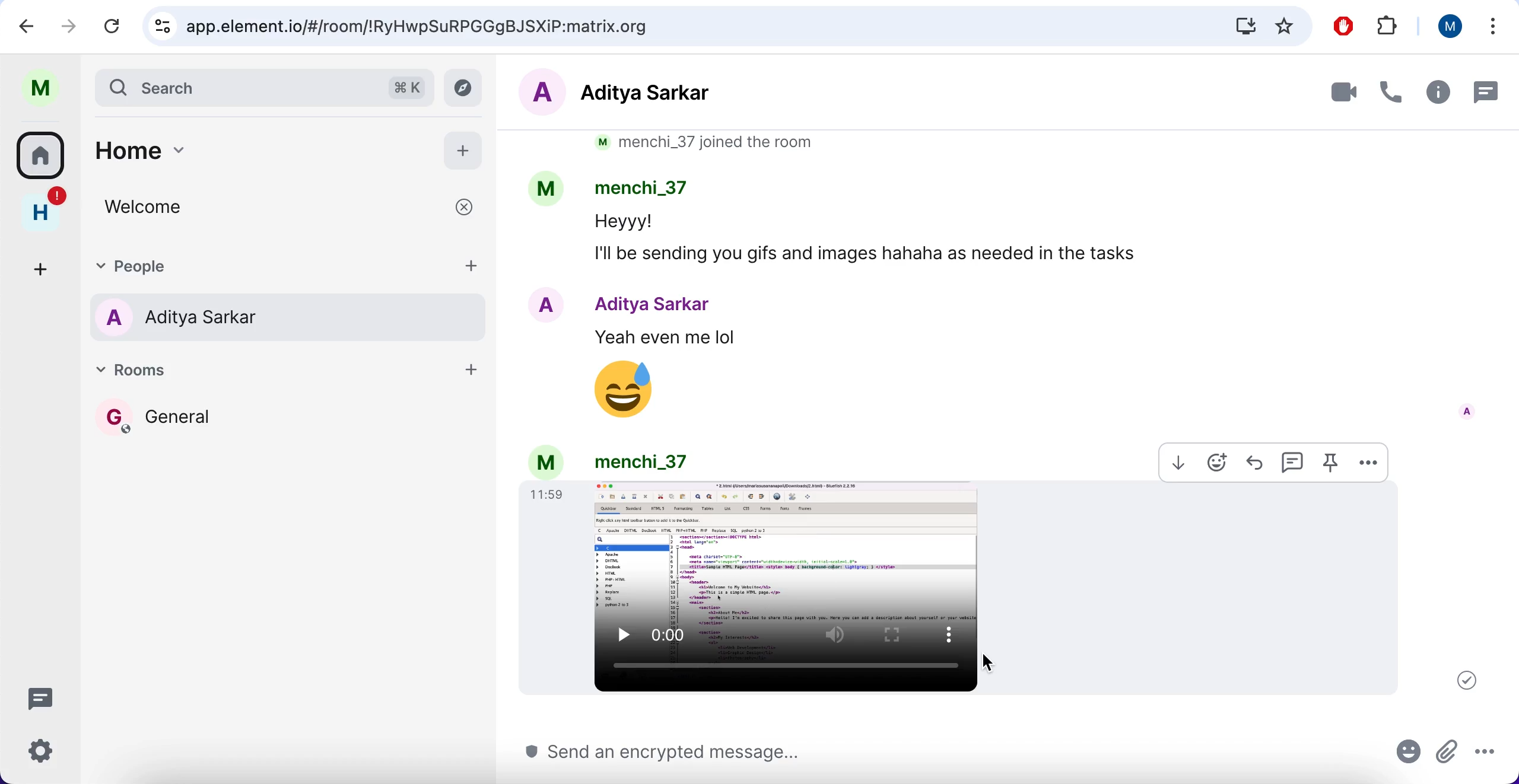  What do you see at coordinates (1328, 463) in the screenshot?
I see `pin` at bounding box center [1328, 463].